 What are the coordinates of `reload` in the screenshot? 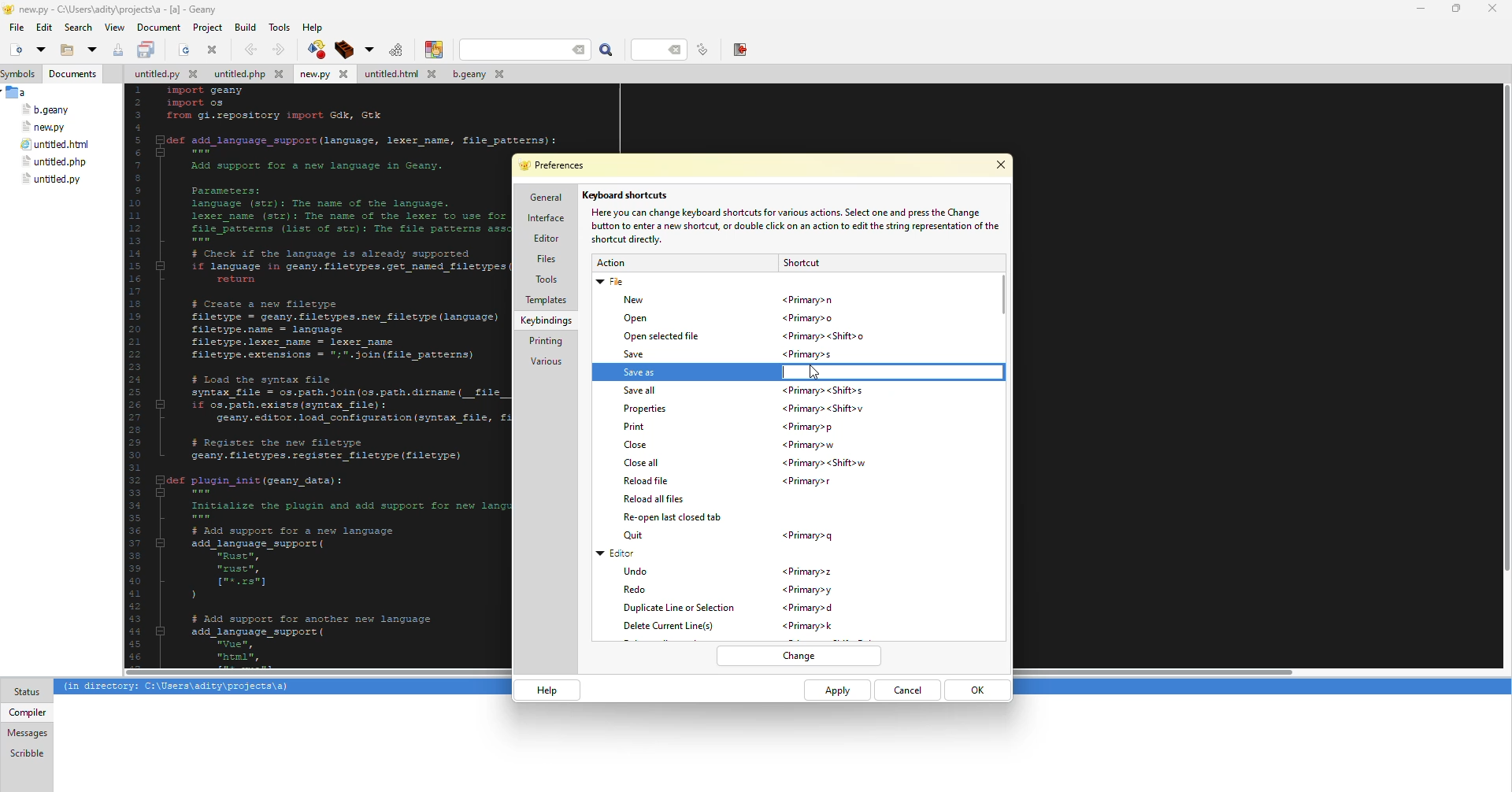 It's located at (646, 481).